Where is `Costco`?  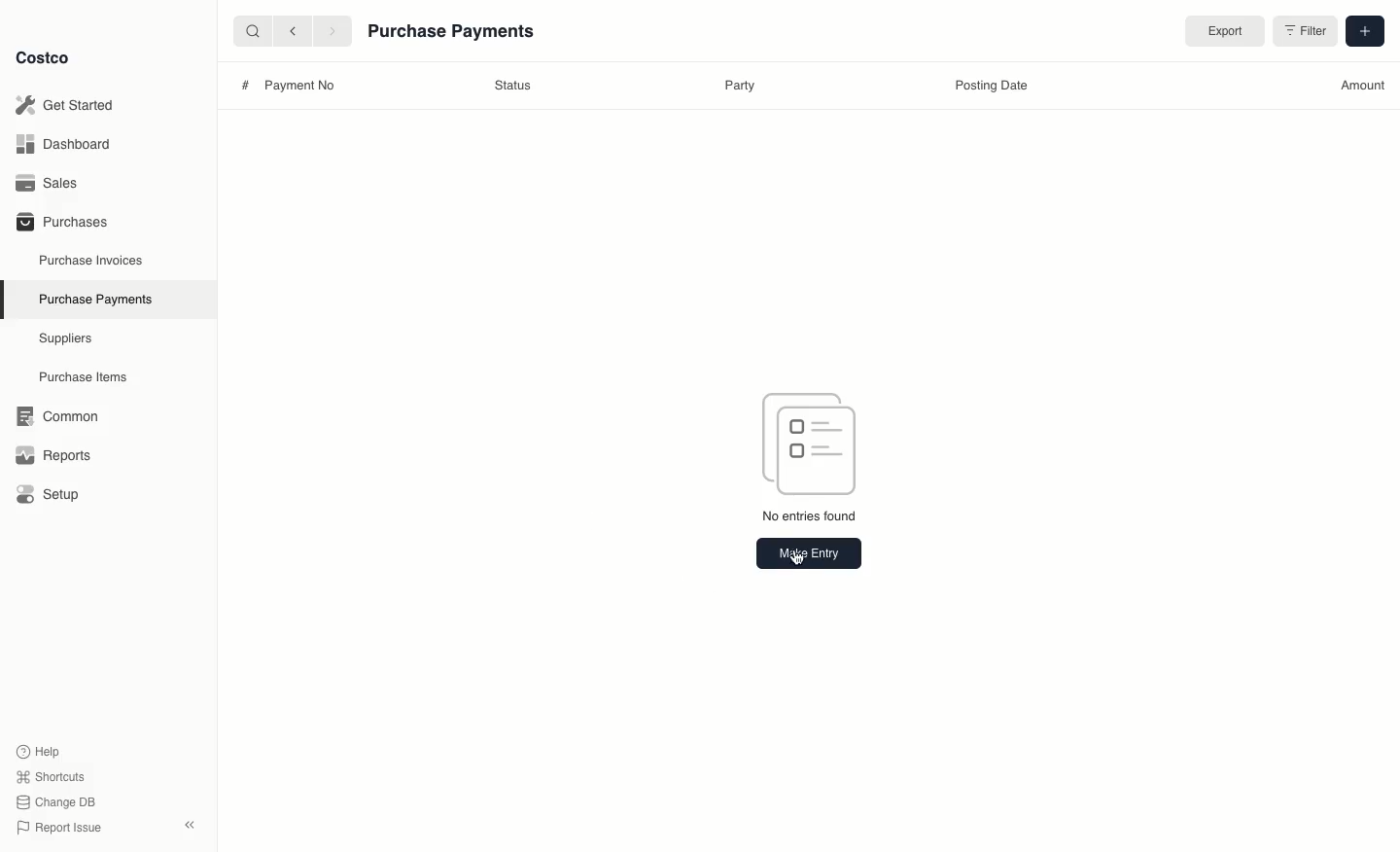
Costco is located at coordinates (42, 57).